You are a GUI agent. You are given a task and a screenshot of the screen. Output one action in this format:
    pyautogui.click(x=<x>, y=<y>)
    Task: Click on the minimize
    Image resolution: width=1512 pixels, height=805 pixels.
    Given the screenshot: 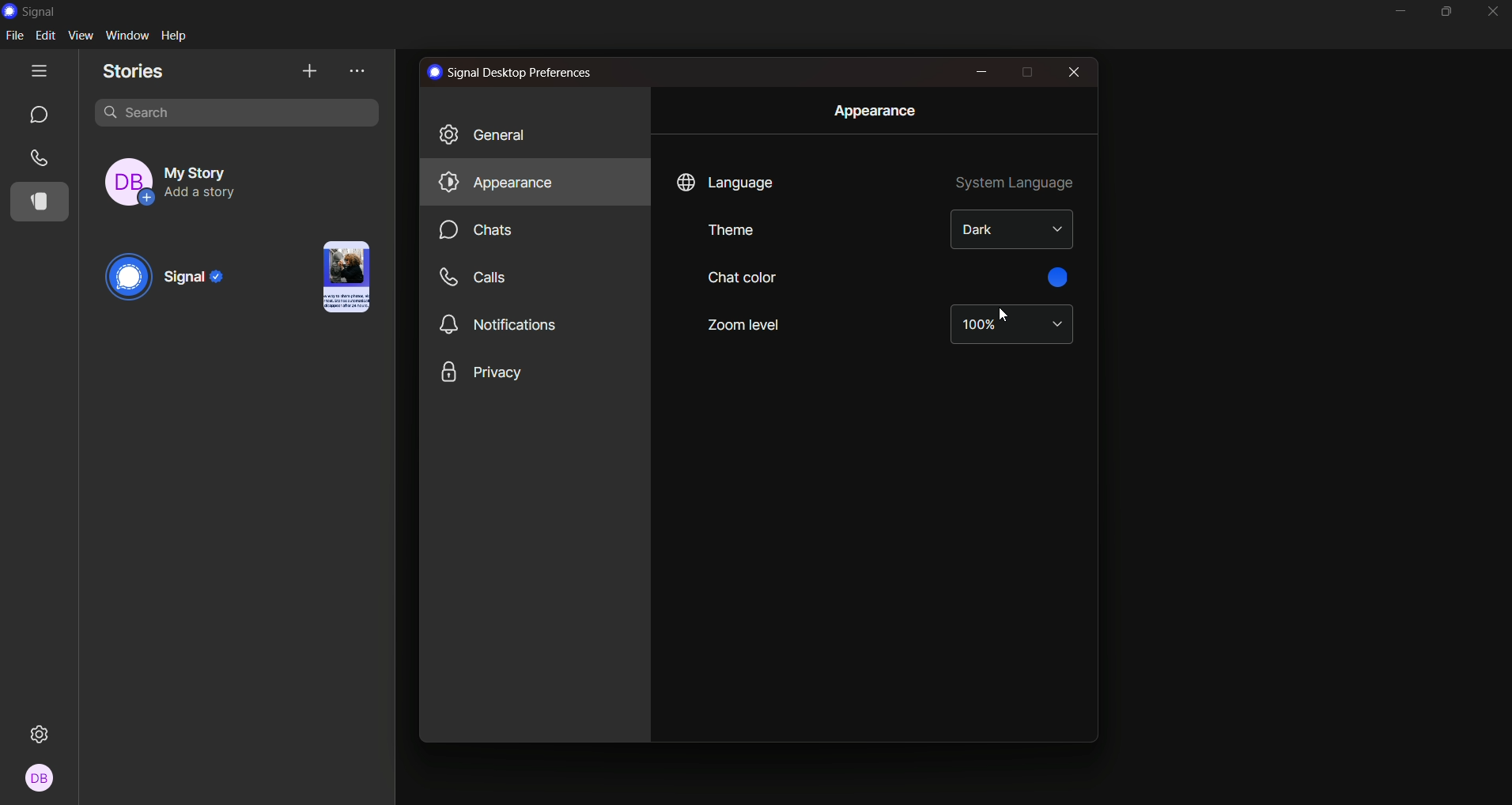 What is the action you would take?
    pyautogui.click(x=981, y=70)
    